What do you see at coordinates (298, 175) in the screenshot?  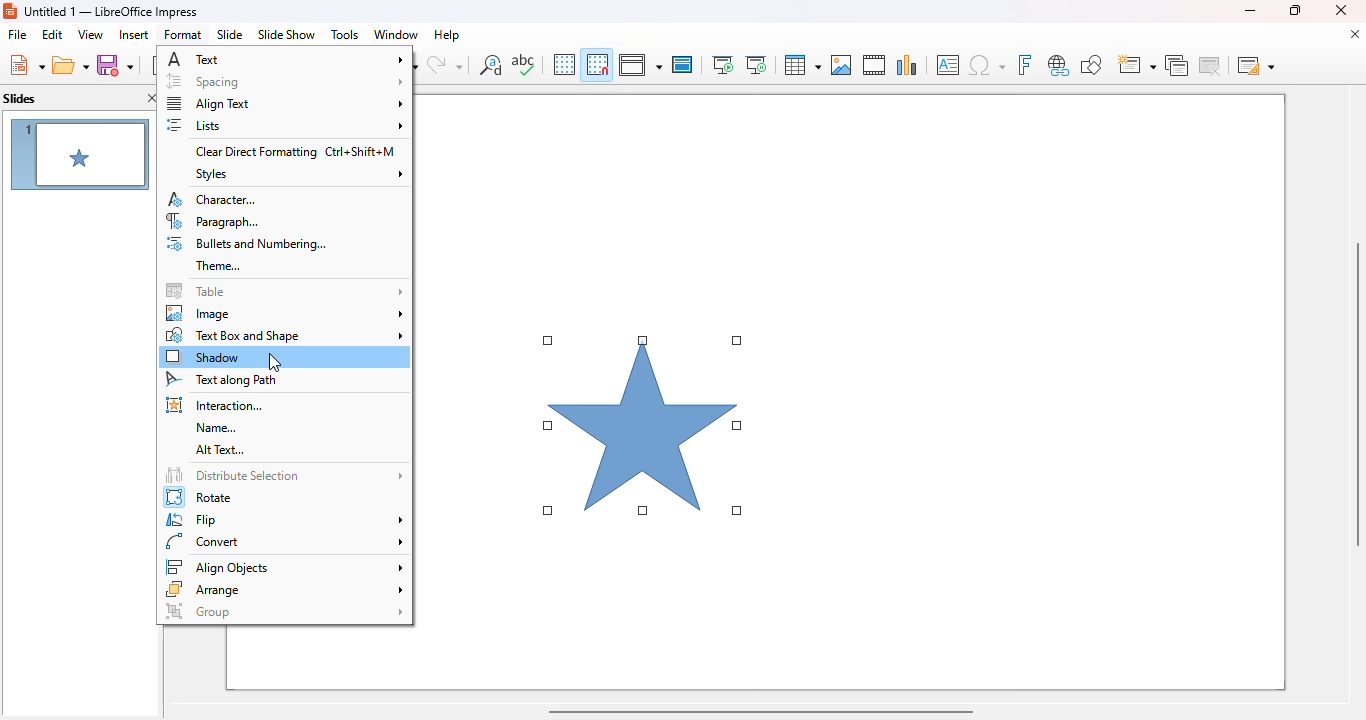 I see `styles` at bounding box center [298, 175].